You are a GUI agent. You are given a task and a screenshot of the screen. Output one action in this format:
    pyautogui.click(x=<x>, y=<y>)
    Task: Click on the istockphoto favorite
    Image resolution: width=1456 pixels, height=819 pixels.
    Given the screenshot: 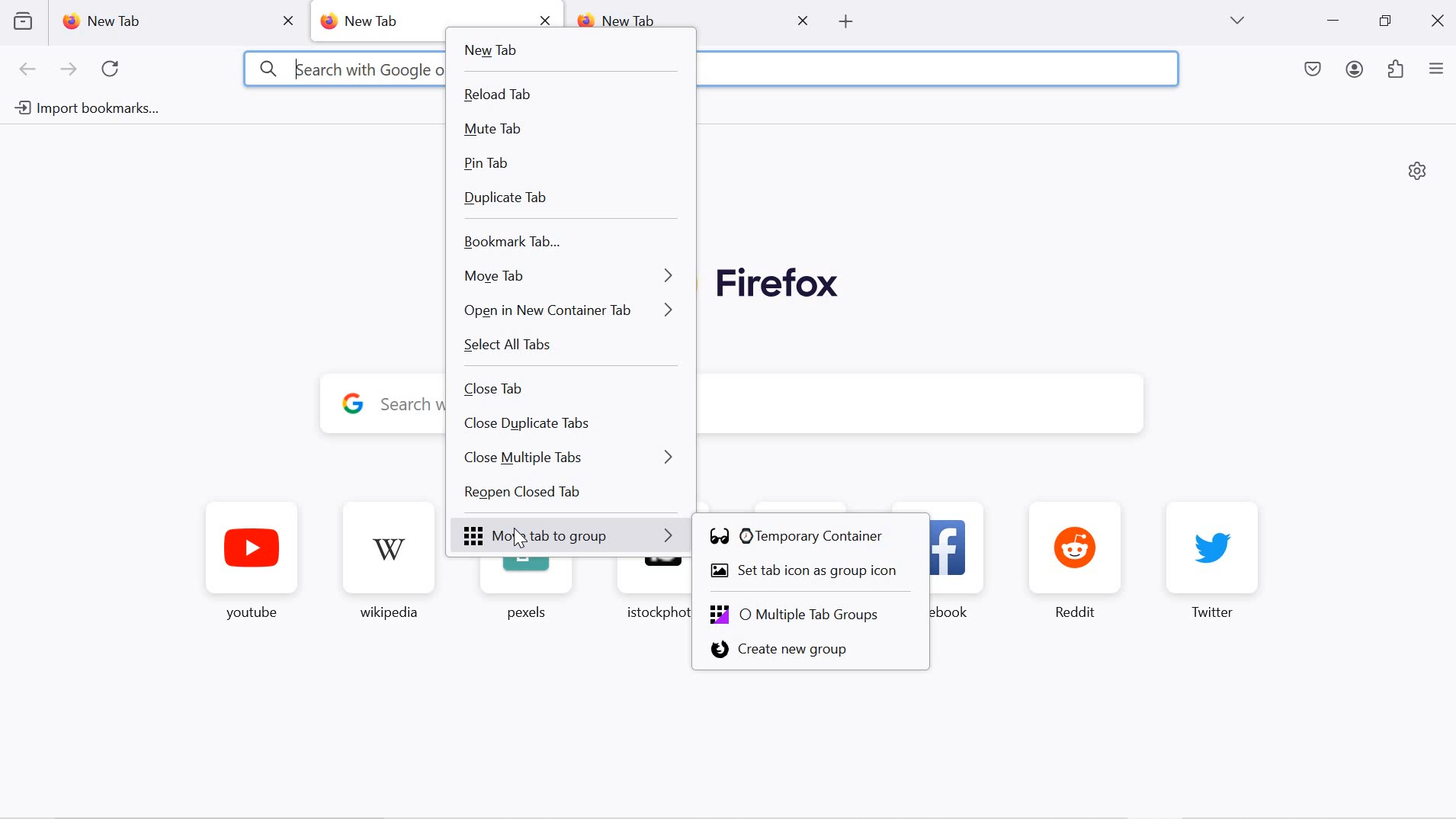 What is the action you would take?
    pyautogui.click(x=649, y=592)
    